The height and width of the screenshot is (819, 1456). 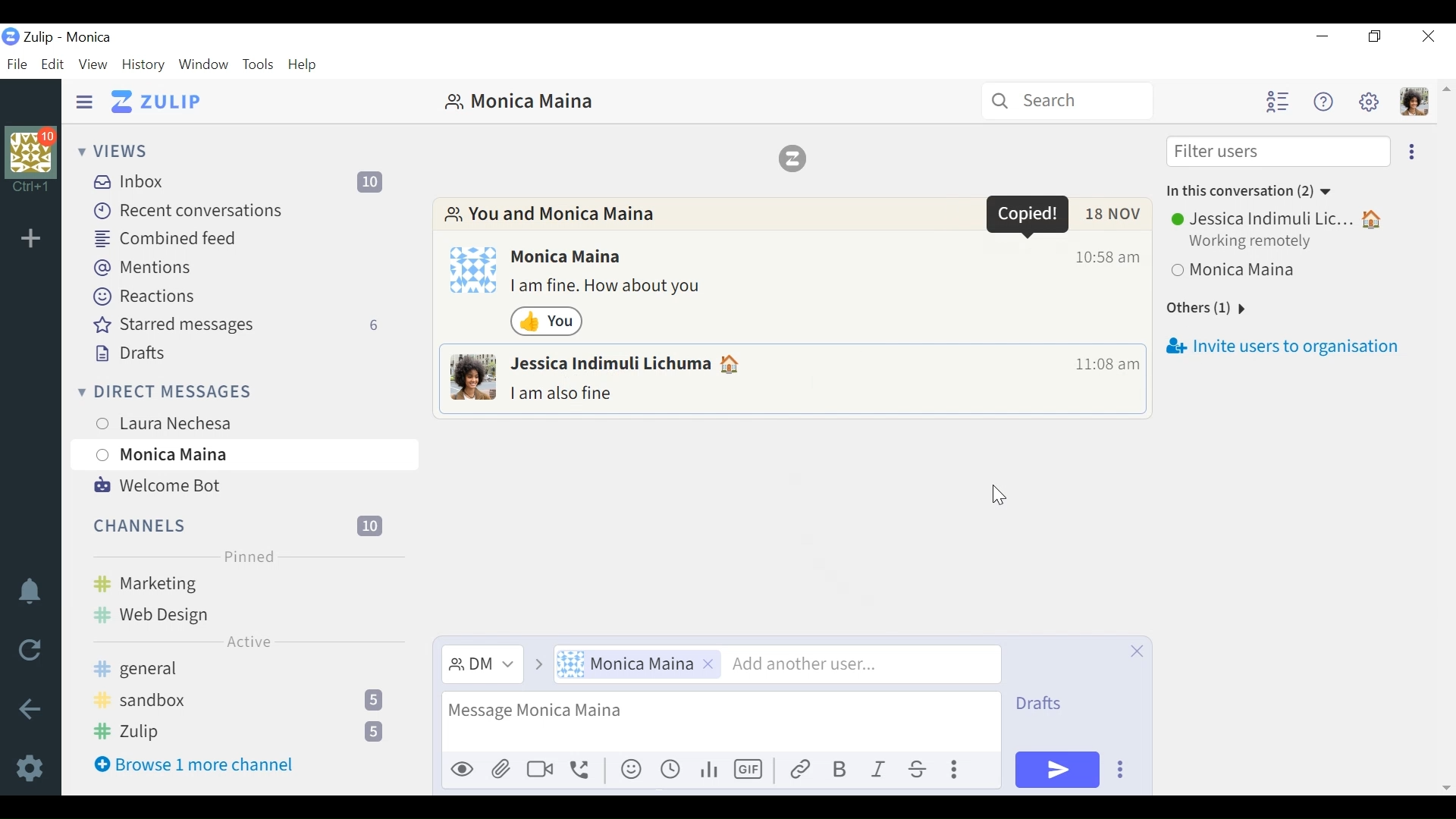 I want to click on I am also fine, so click(x=566, y=394).